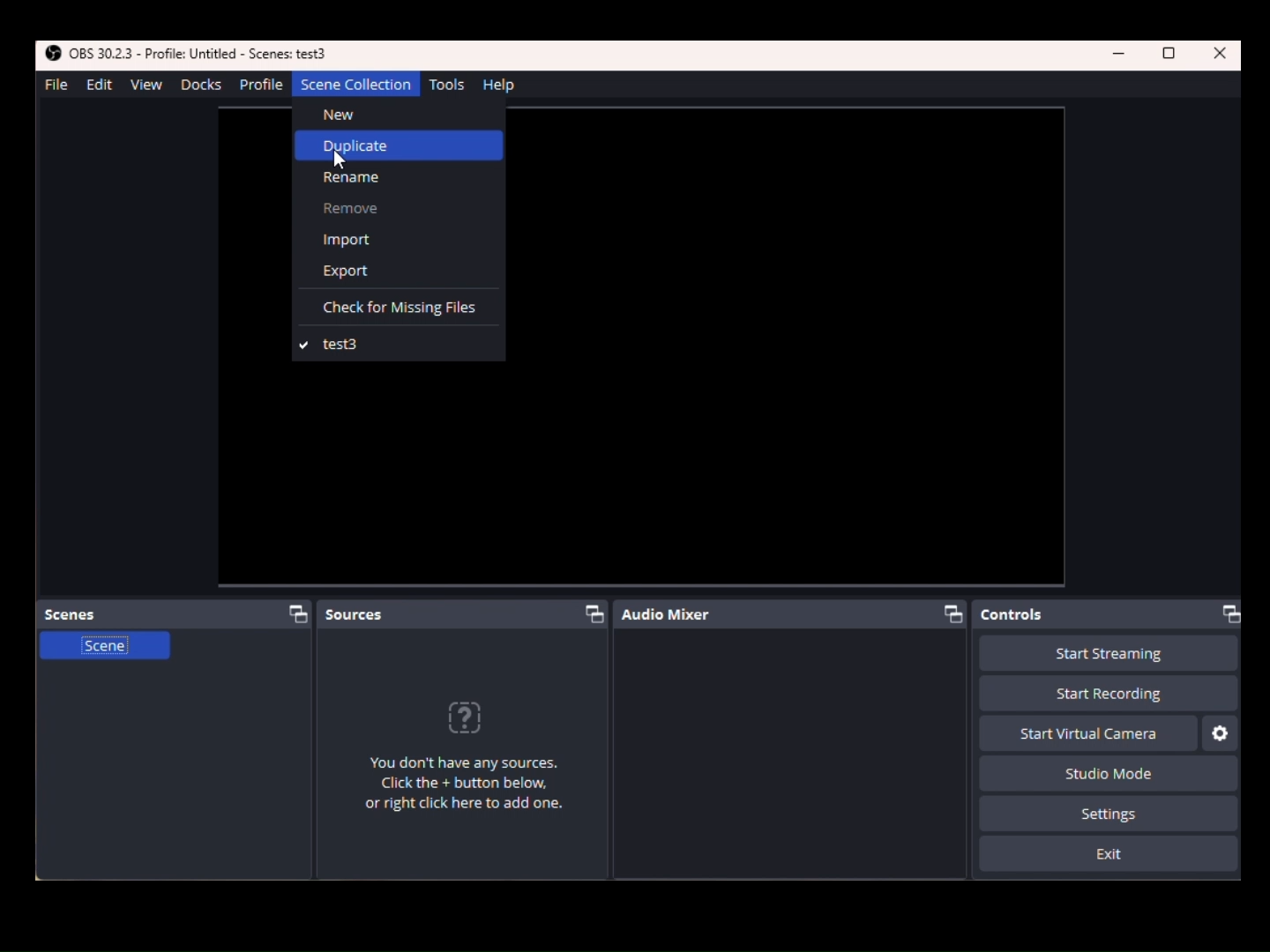 The image size is (1270, 952). I want to click on Edit, so click(96, 86).